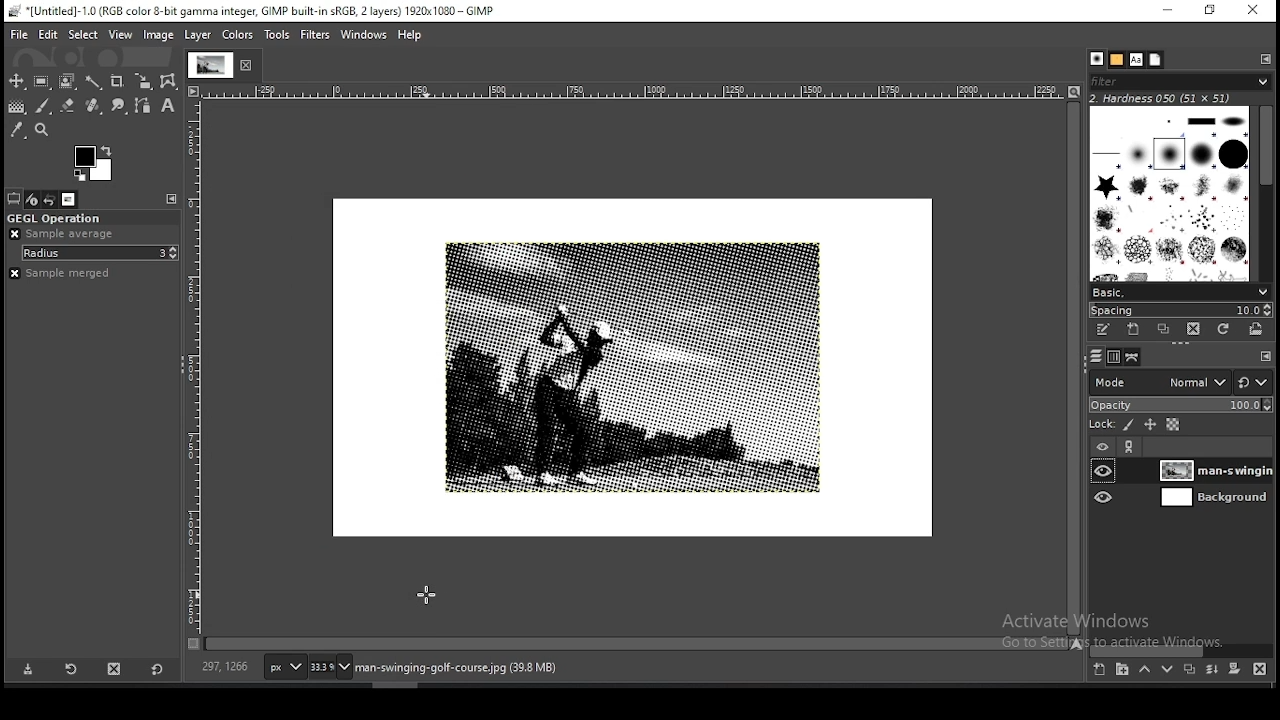 This screenshot has width=1280, height=720. What do you see at coordinates (1169, 193) in the screenshot?
I see `brushes` at bounding box center [1169, 193].